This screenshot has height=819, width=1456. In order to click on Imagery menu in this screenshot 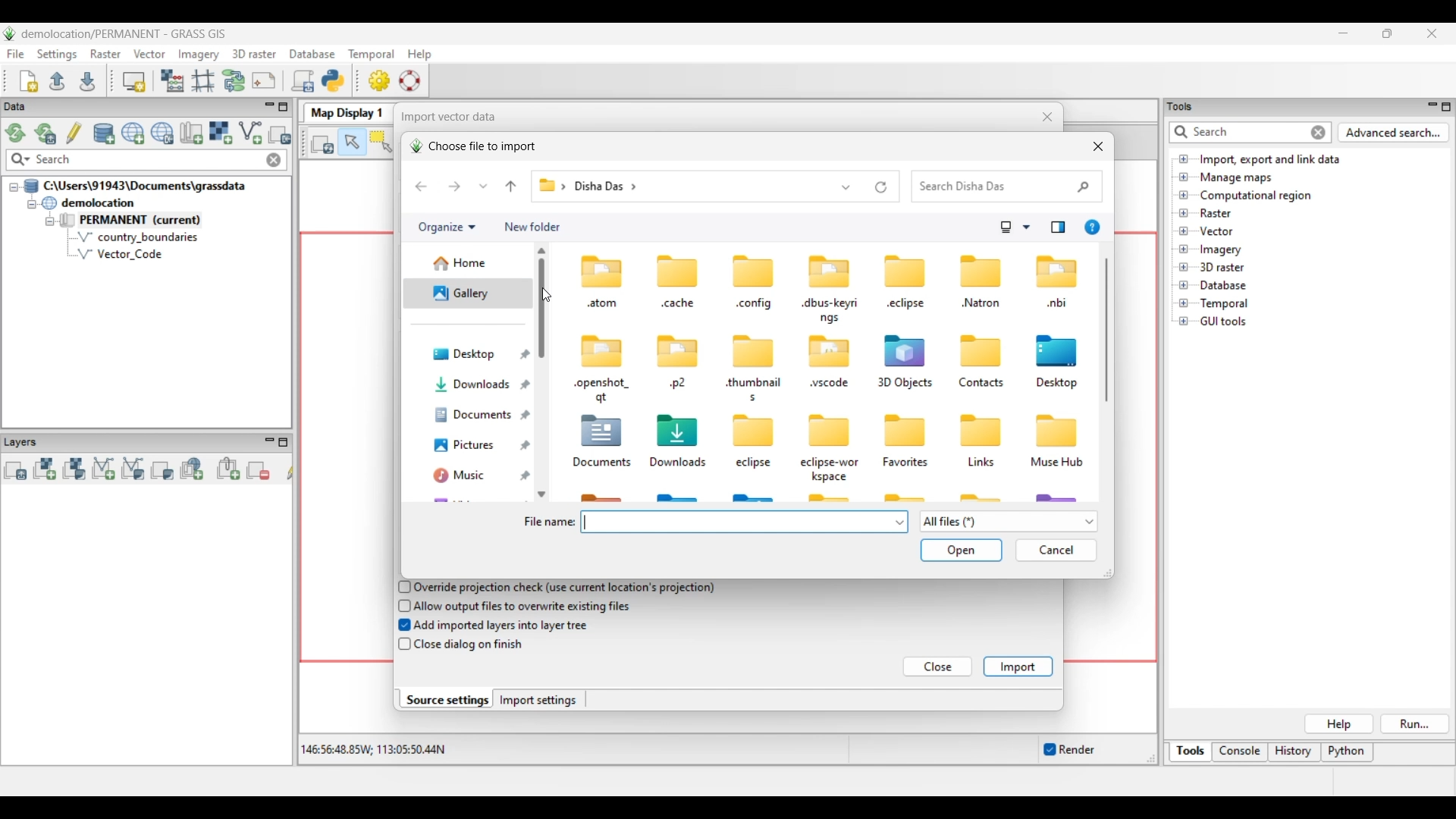, I will do `click(199, 55)`.